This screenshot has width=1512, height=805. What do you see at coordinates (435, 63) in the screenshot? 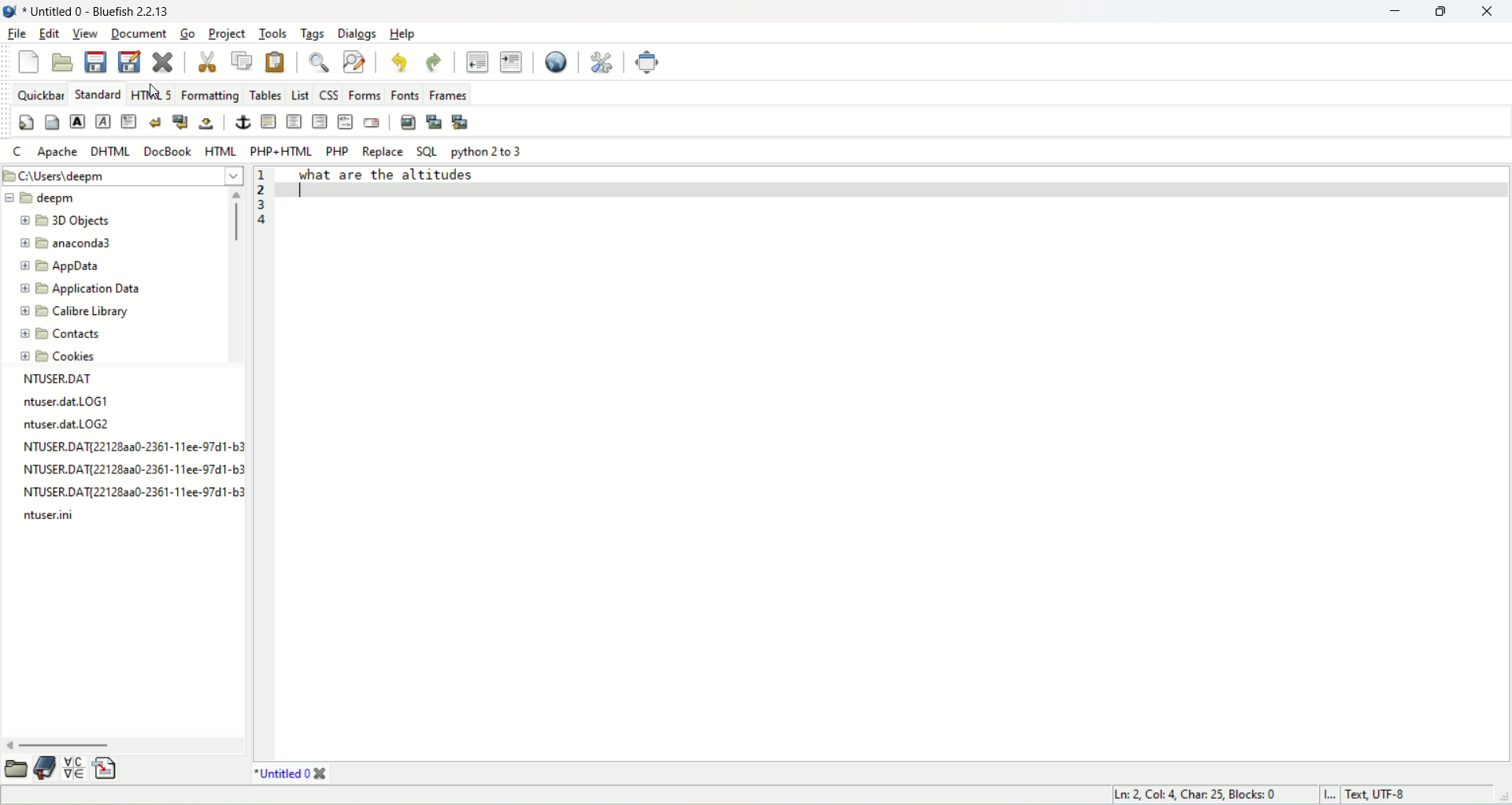
I see `redo` at bounding box center [435, 63].